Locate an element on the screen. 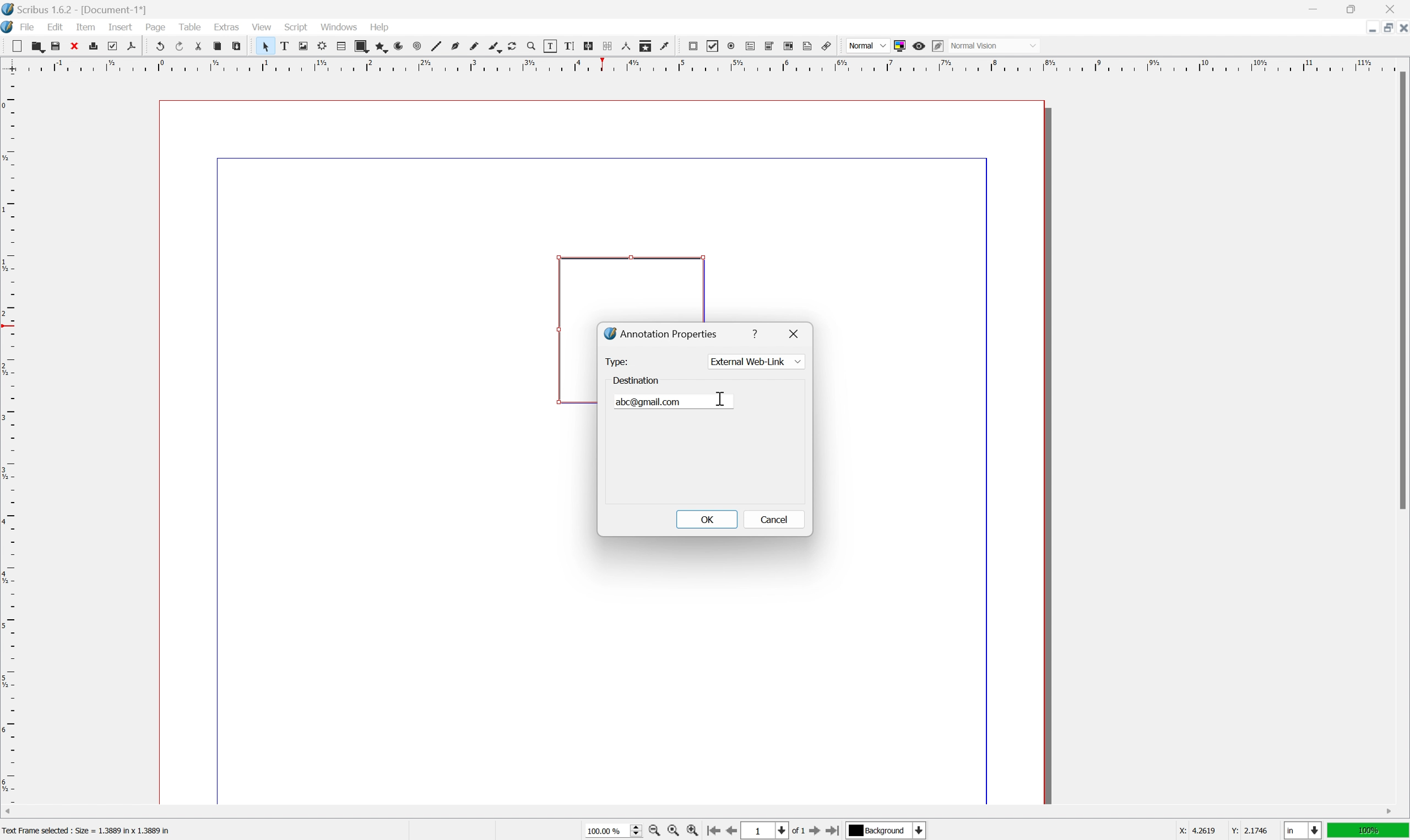 The height and width of the screenshot is (840, 1410). zoom to 100% is located at coordinates (673, 831).